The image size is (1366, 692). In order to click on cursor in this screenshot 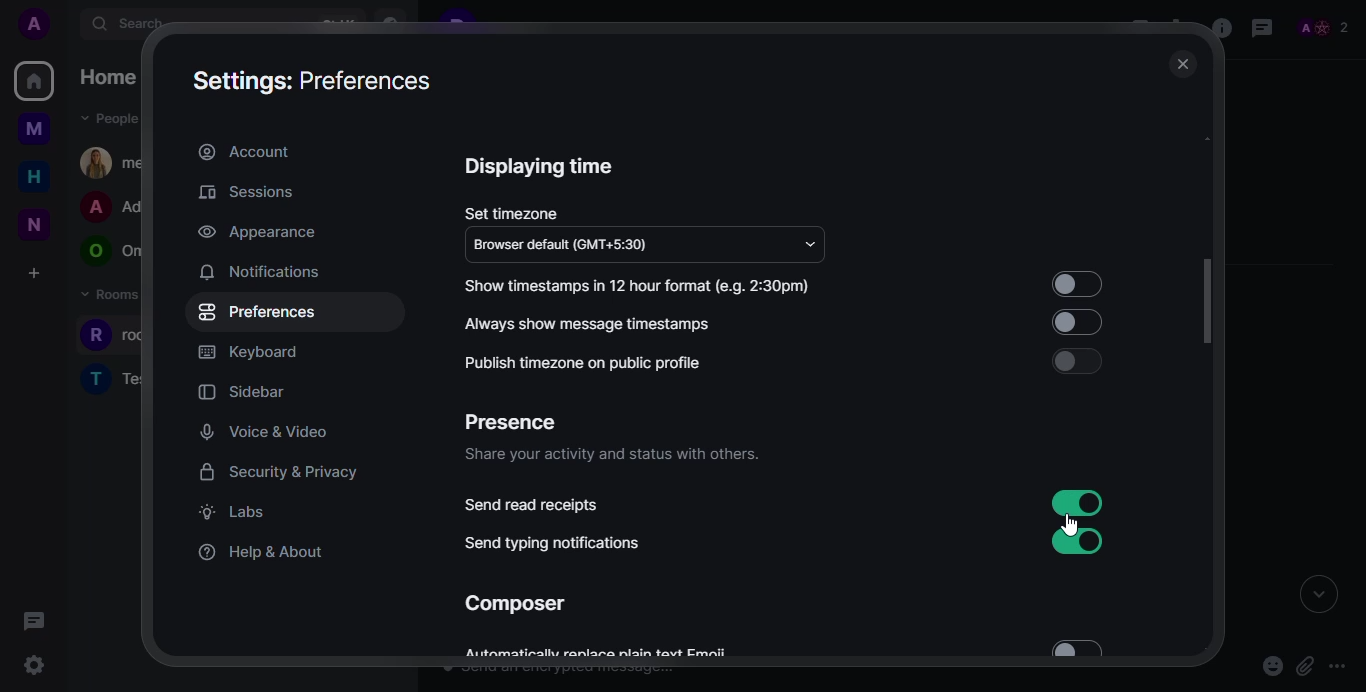, I will do `click(46, 670)`.